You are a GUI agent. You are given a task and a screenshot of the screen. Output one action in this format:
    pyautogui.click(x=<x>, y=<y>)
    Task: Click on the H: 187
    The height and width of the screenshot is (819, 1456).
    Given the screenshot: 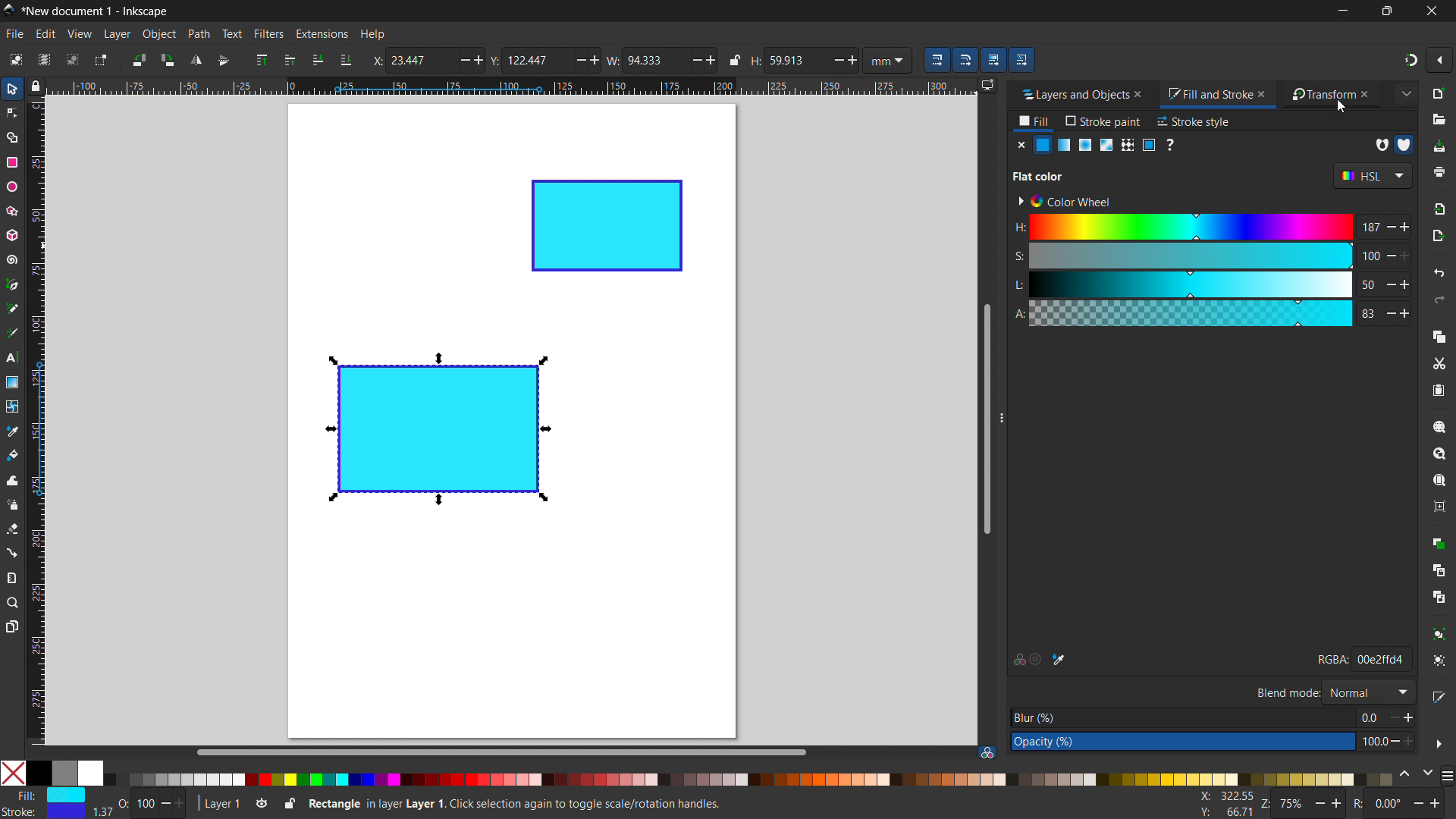 What is the action you would take?
    pyautogui.click(x=1210, y=225)
    